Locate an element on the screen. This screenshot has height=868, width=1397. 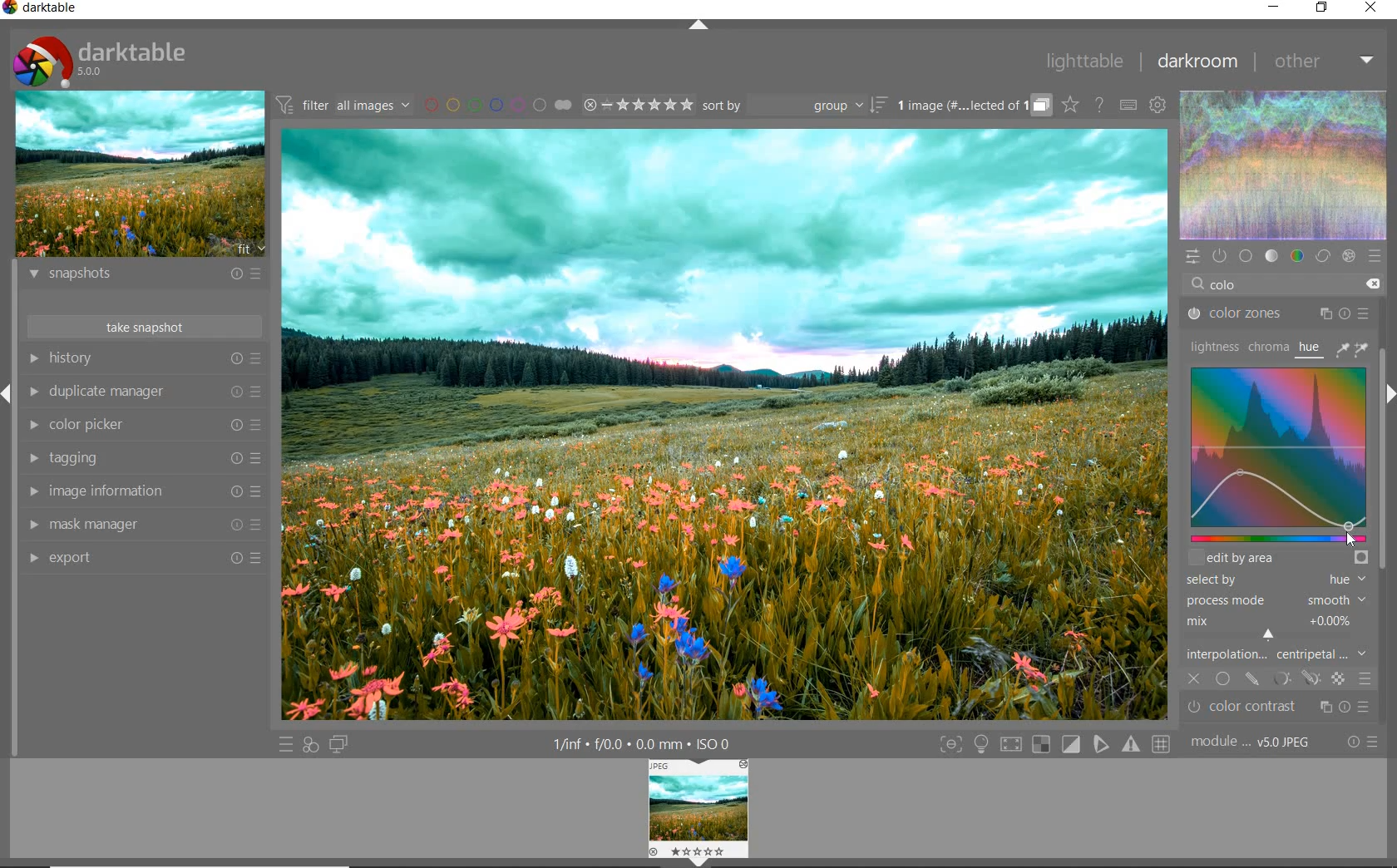
presets is located at coordinates (1374, 256).